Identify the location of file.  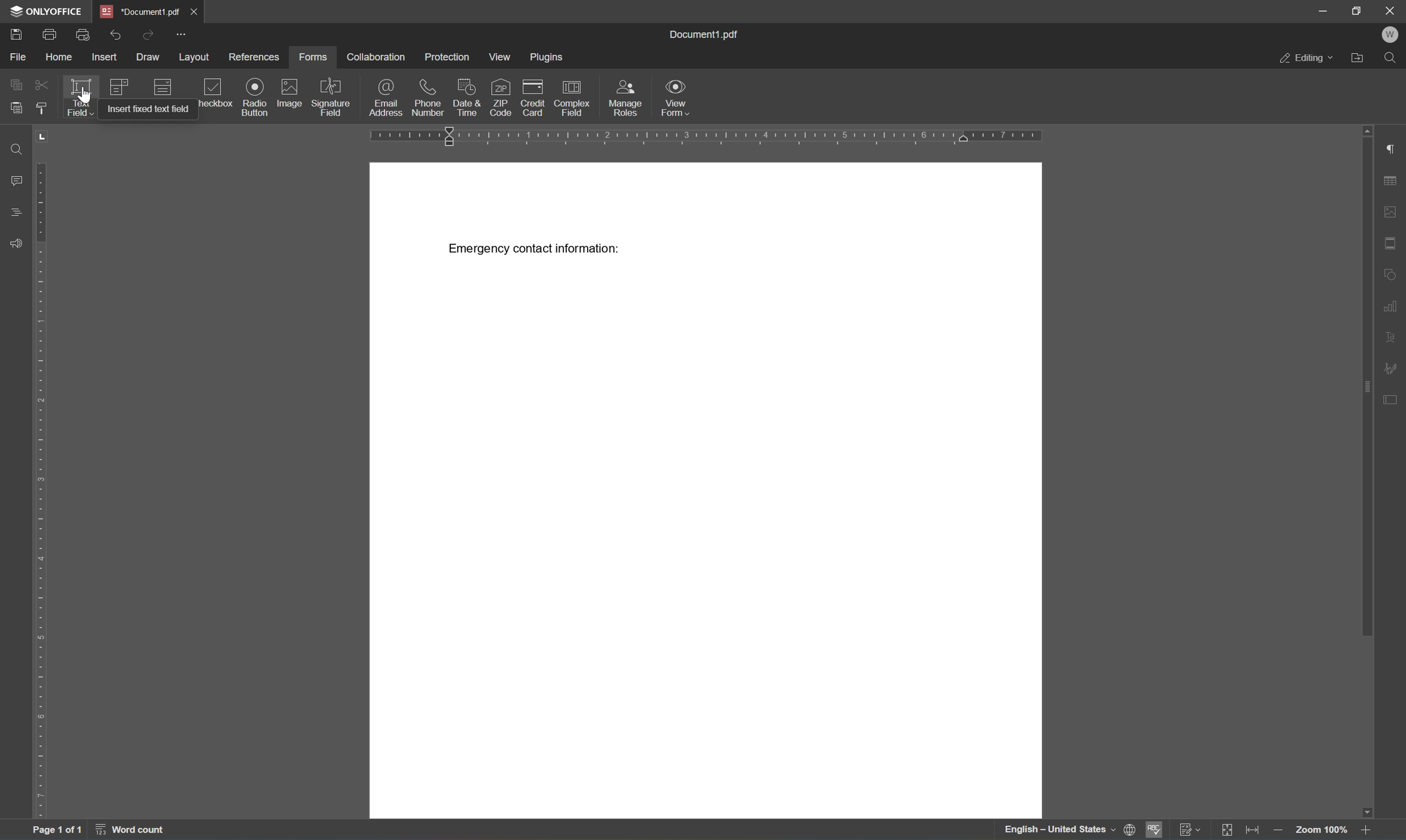
(18, 57).